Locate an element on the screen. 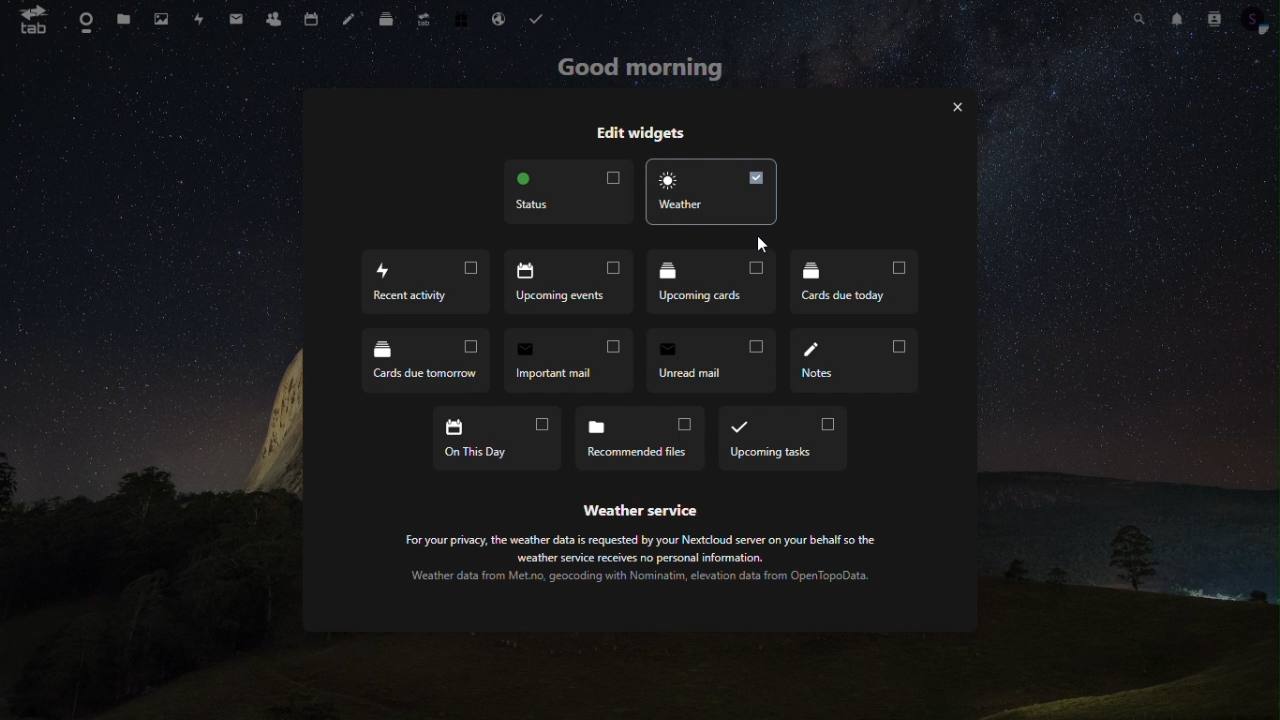  recent acticity is located at coordinates (426, 281).